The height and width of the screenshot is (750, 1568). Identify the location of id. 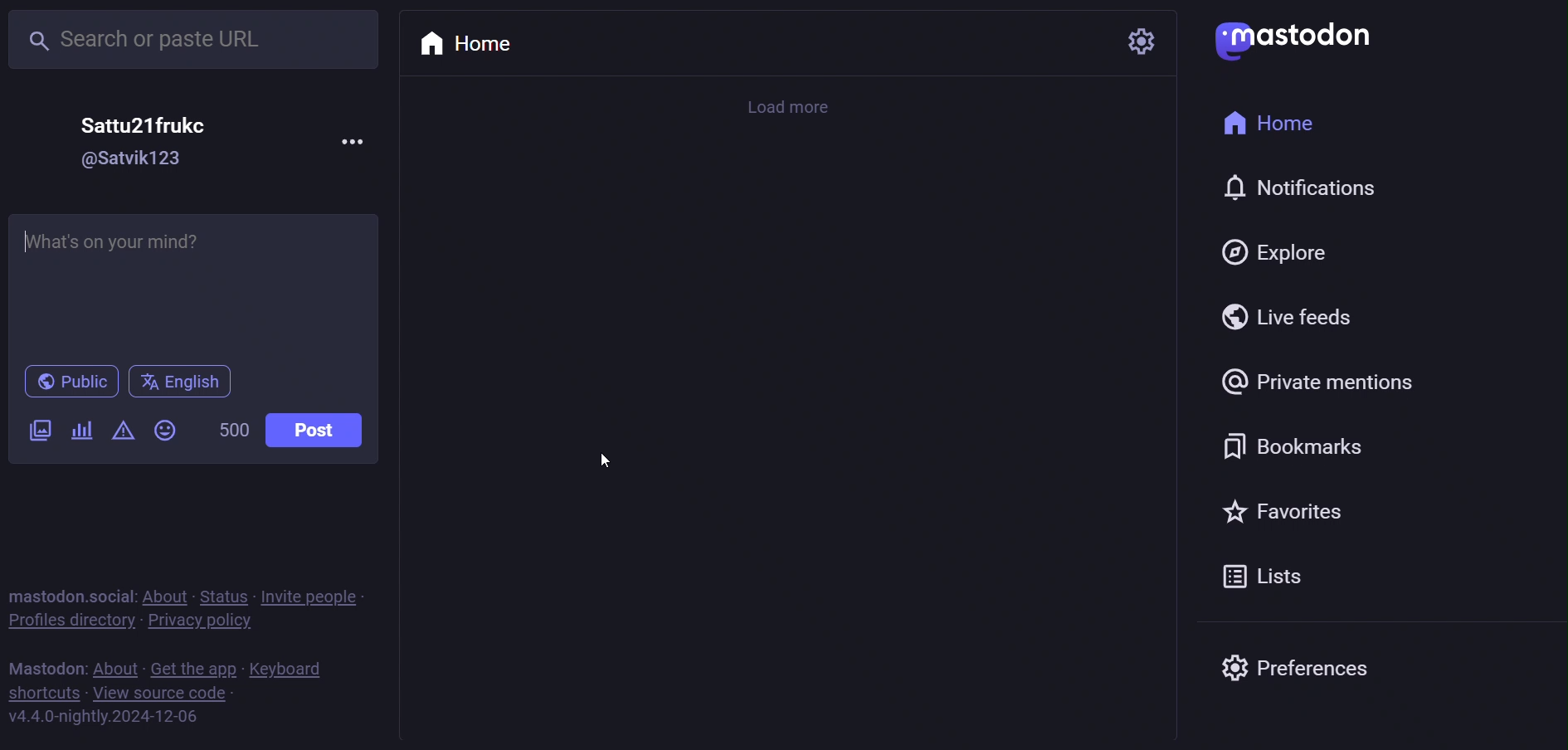
(134, 163).